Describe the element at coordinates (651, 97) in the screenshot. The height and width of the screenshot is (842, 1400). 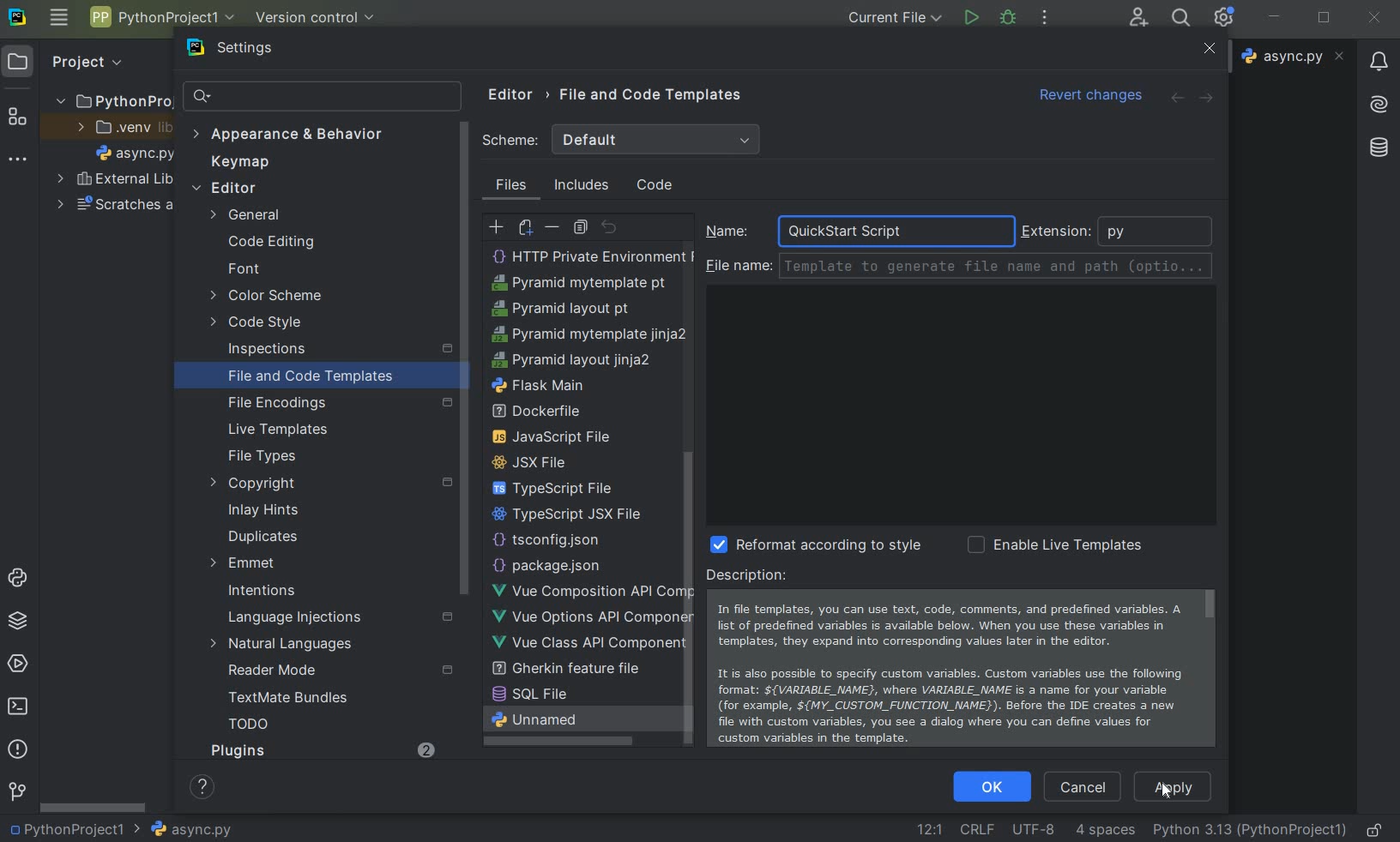
I see `file and code templates` at that location.